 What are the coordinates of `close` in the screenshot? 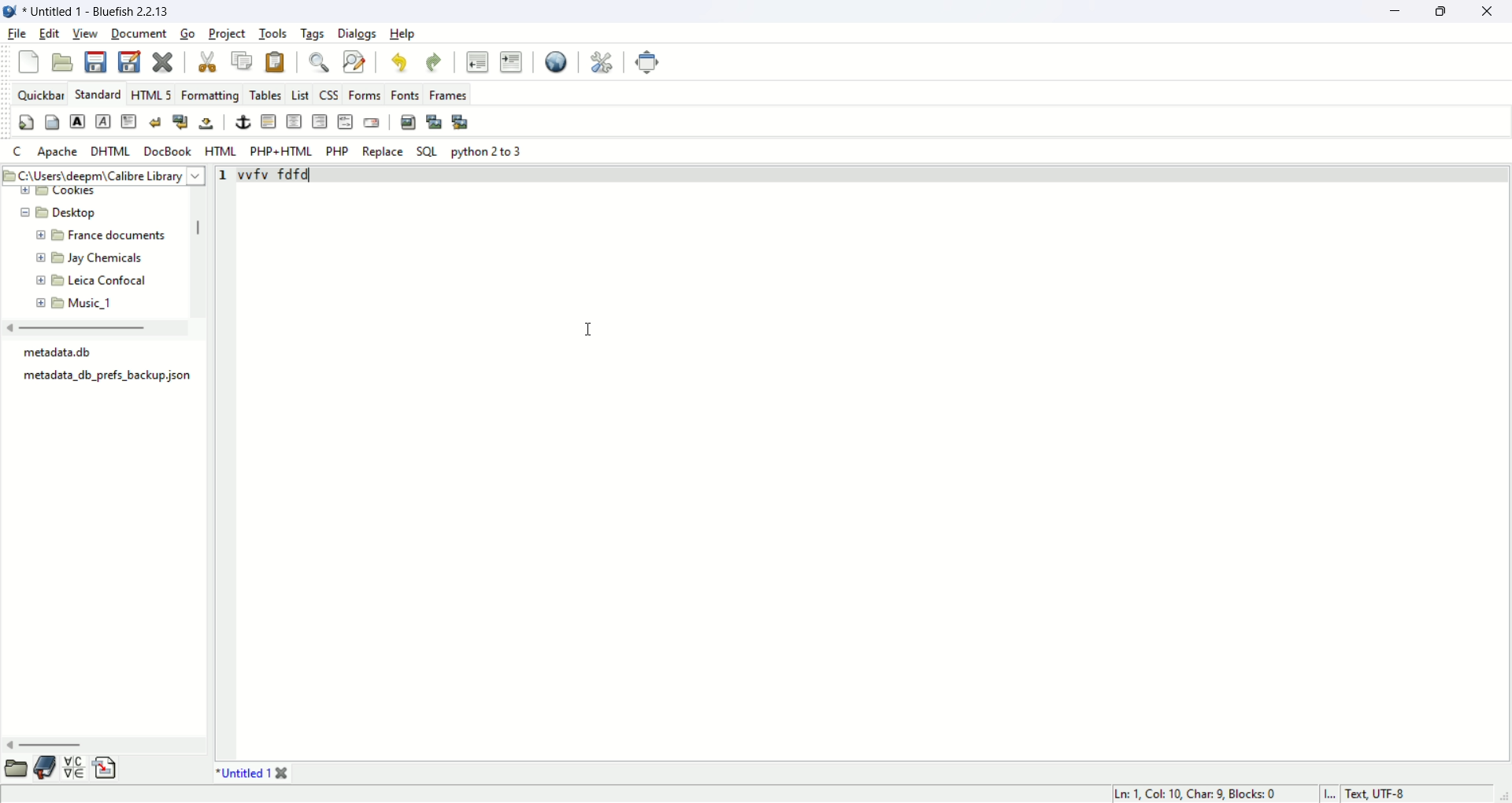 It's located at (1493, 13).